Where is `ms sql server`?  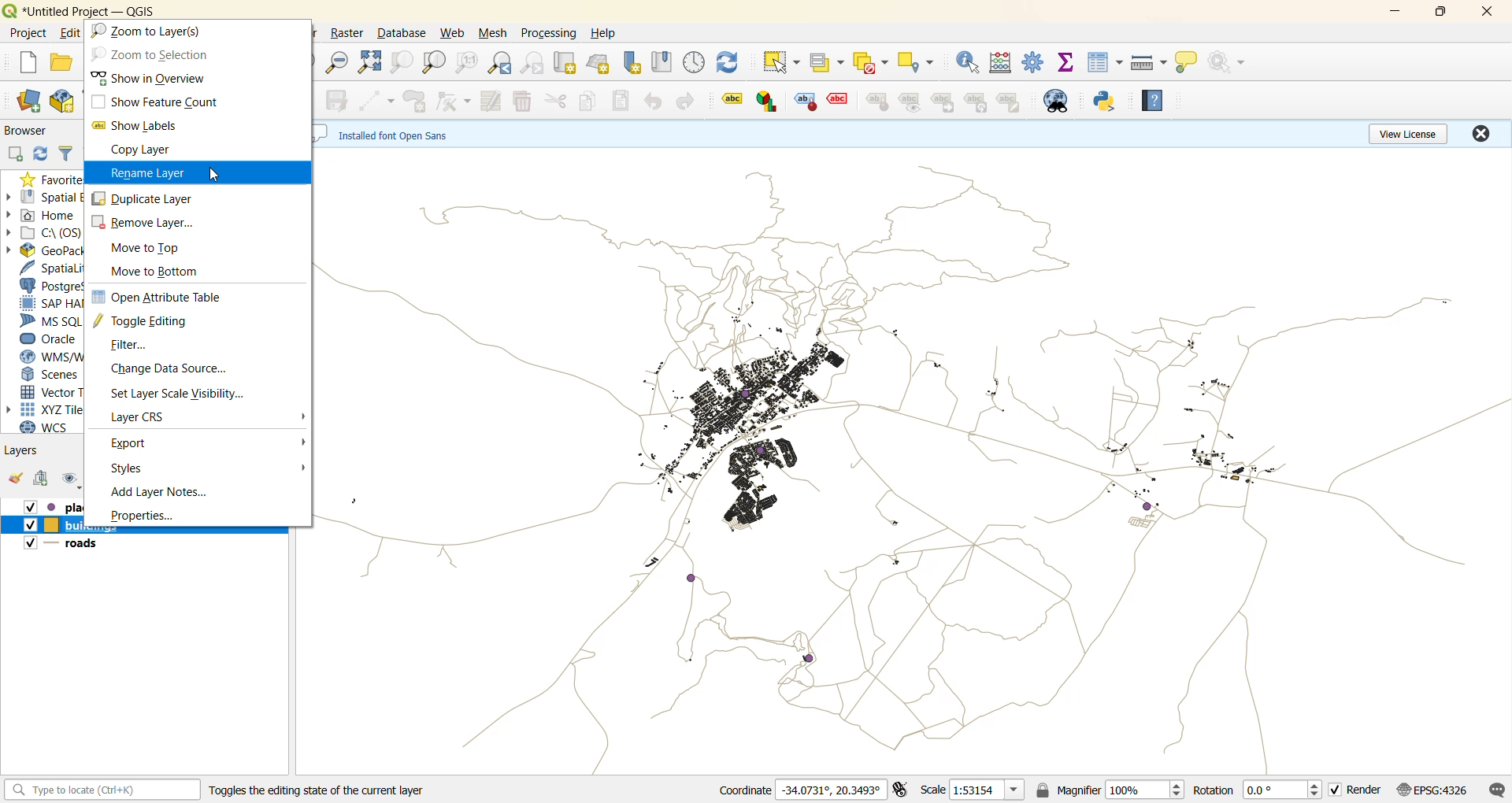 ms sql server is located at coordinates (49, 323).